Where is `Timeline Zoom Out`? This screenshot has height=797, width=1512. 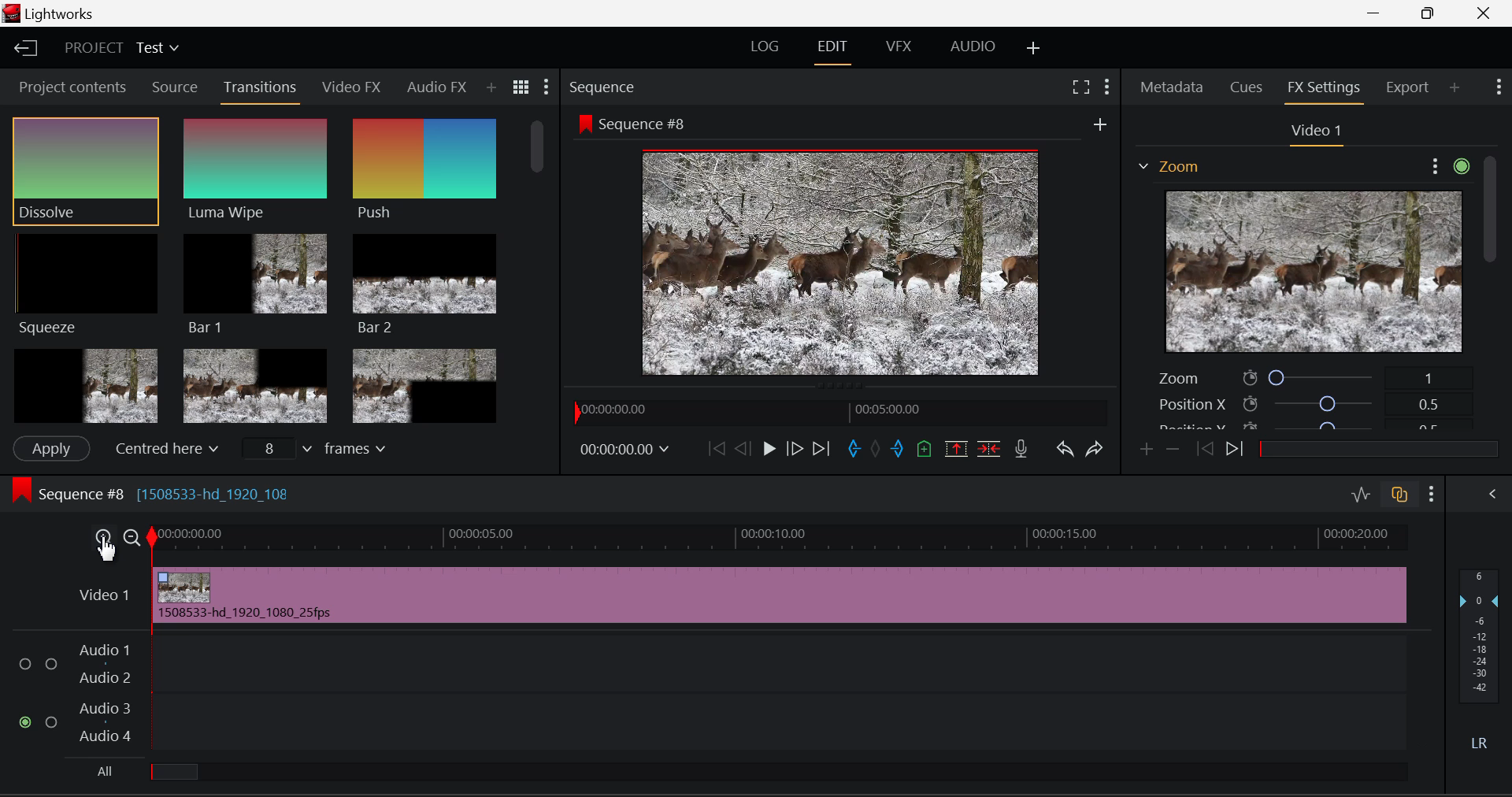
Timeline Zoom Out is located at coordinates (131, 539).